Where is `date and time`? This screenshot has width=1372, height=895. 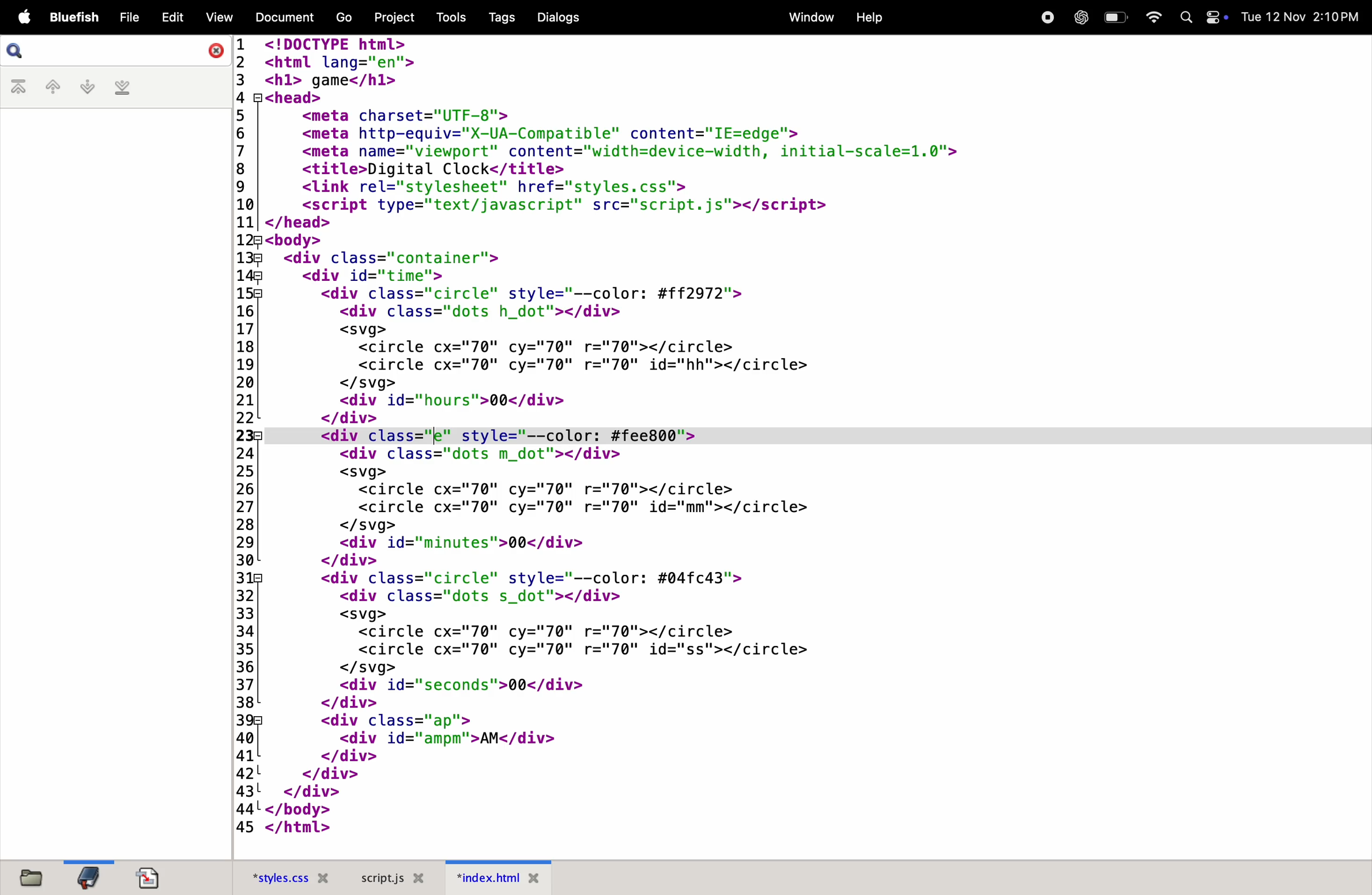 date and time is located at coordinates (1299, 17).